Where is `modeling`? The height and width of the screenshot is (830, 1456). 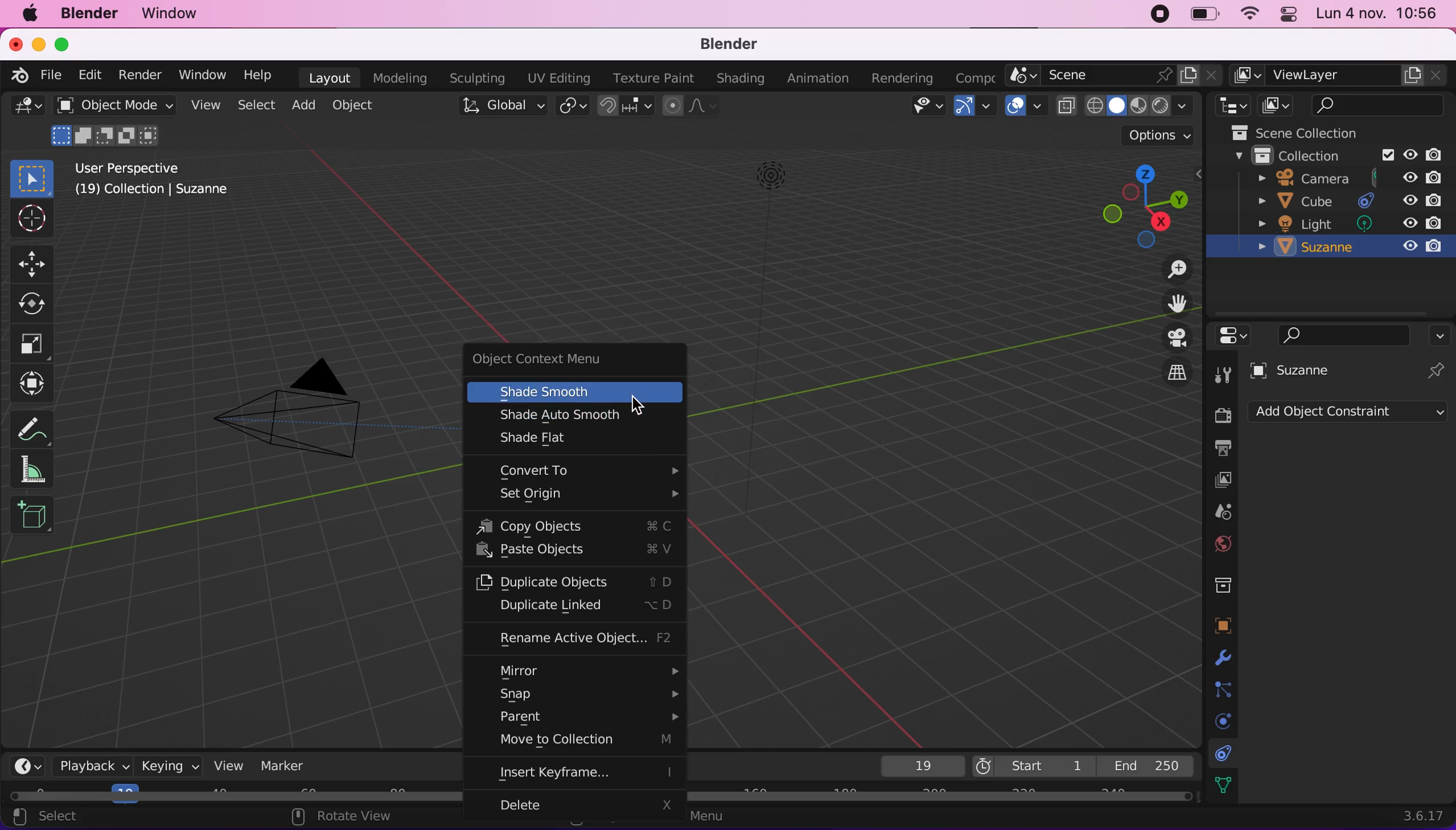
modeling is located at coordinates (401, 78).